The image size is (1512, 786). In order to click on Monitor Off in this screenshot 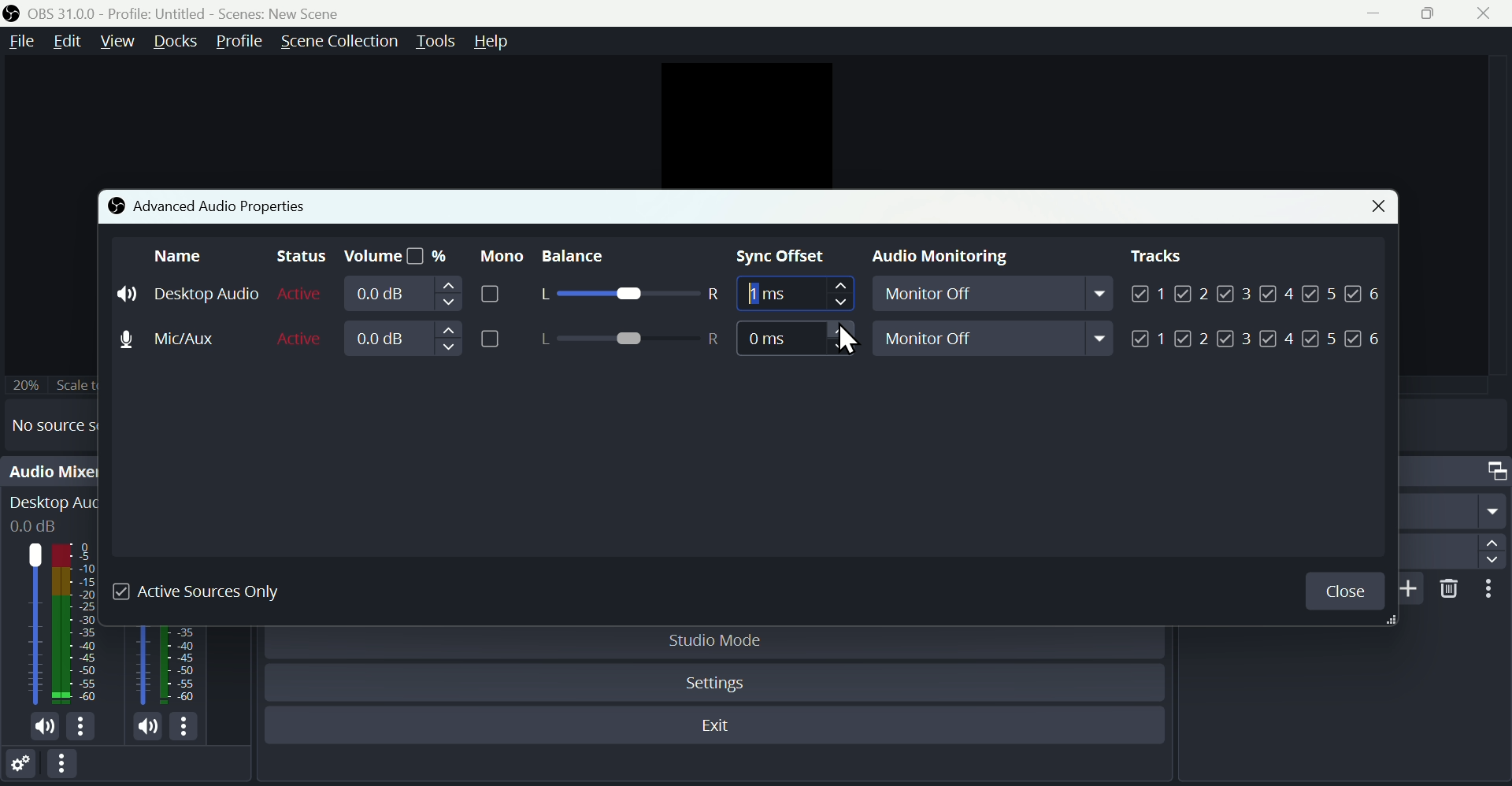, I will do `click(995, 338)`.